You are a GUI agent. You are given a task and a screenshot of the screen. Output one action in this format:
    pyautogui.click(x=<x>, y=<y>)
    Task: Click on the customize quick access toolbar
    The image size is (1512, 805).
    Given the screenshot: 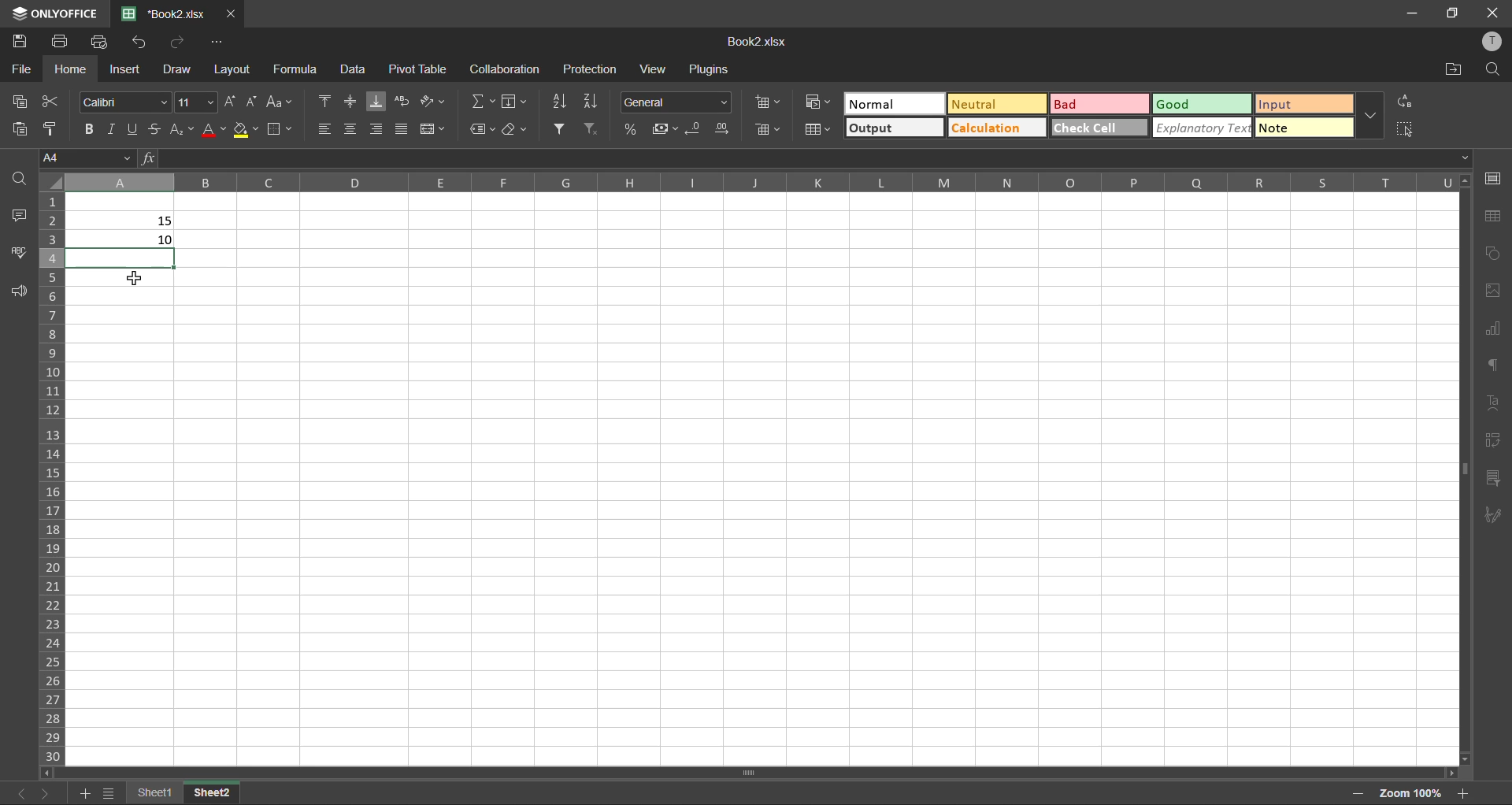 What is the action you would take?
    pyautogui.click(x=219, y=43)
    